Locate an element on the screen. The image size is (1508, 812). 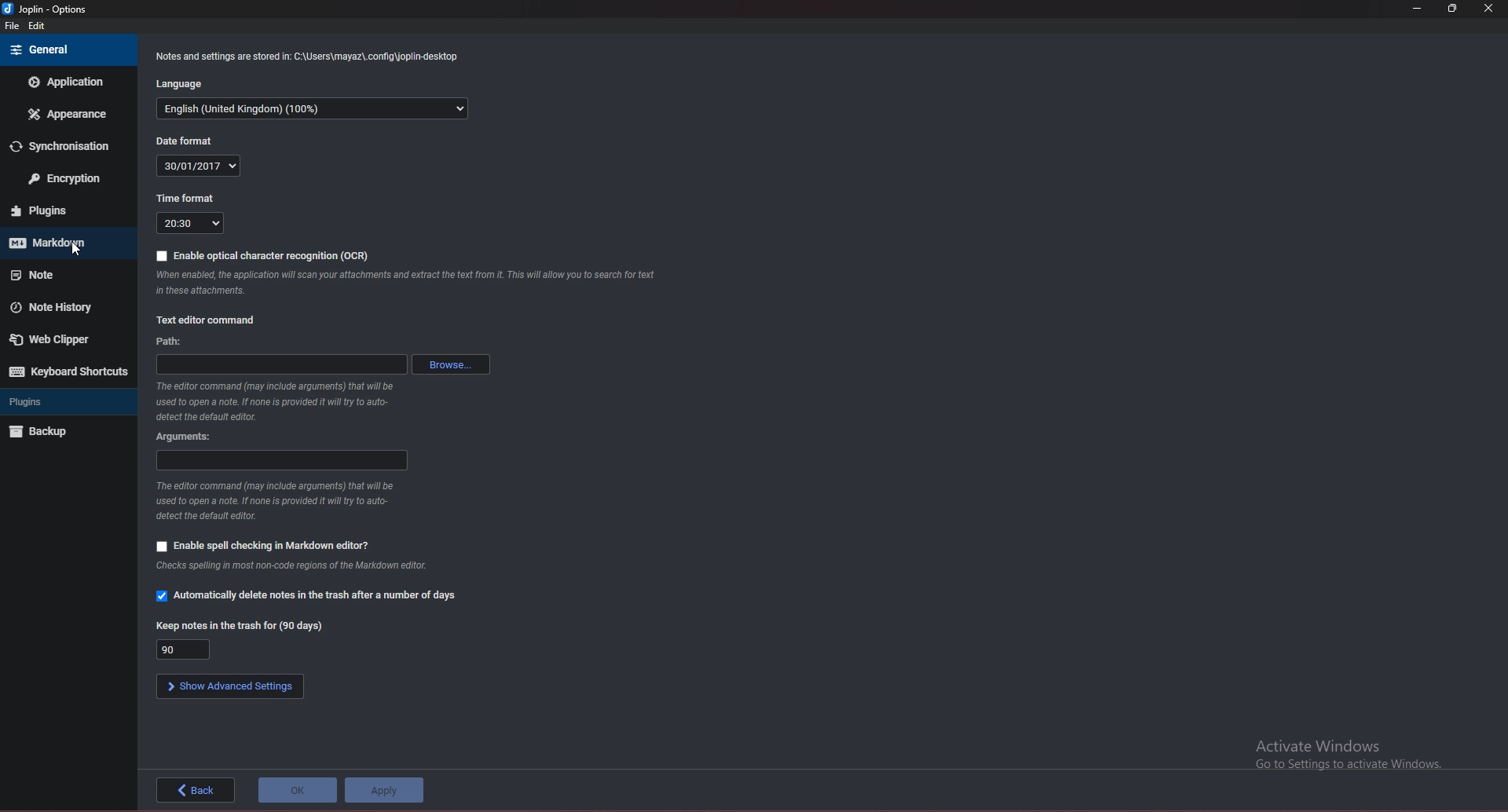
info is located at coordinates (315, 57).